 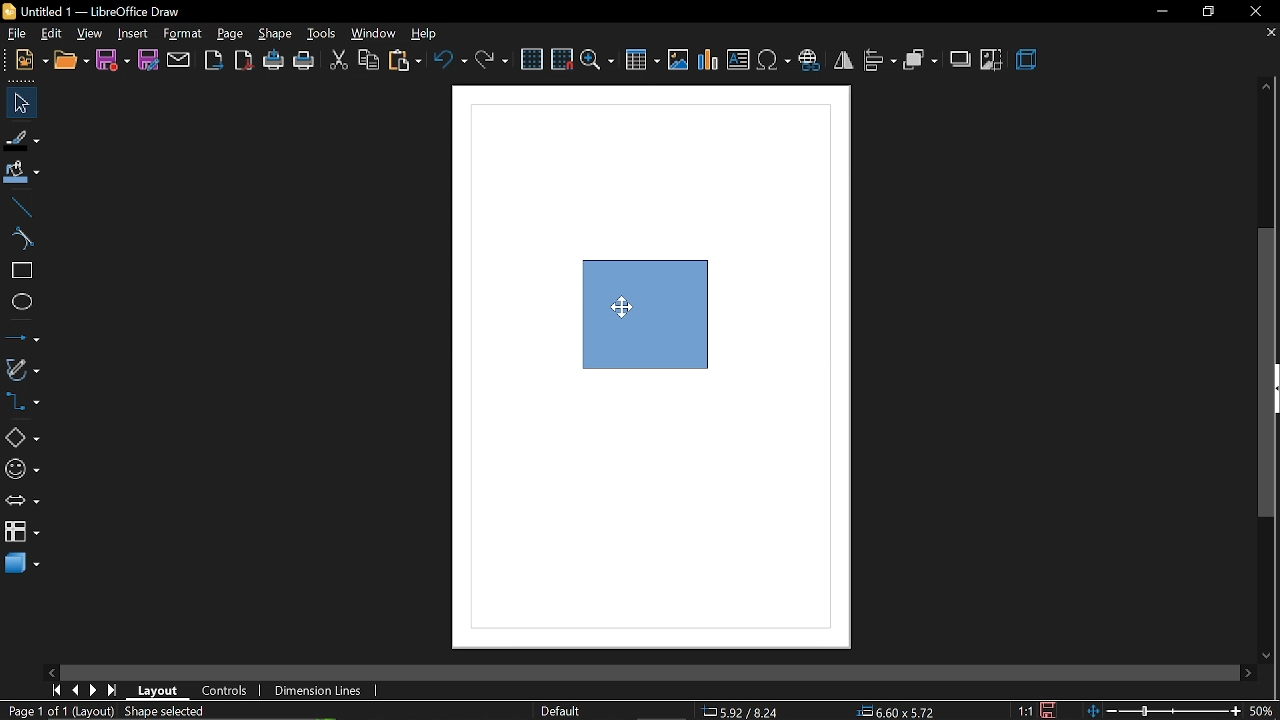 What do you see at coordinates (276, 34) in the screenshot?
I see `shape` at bounding box center [276, 34].